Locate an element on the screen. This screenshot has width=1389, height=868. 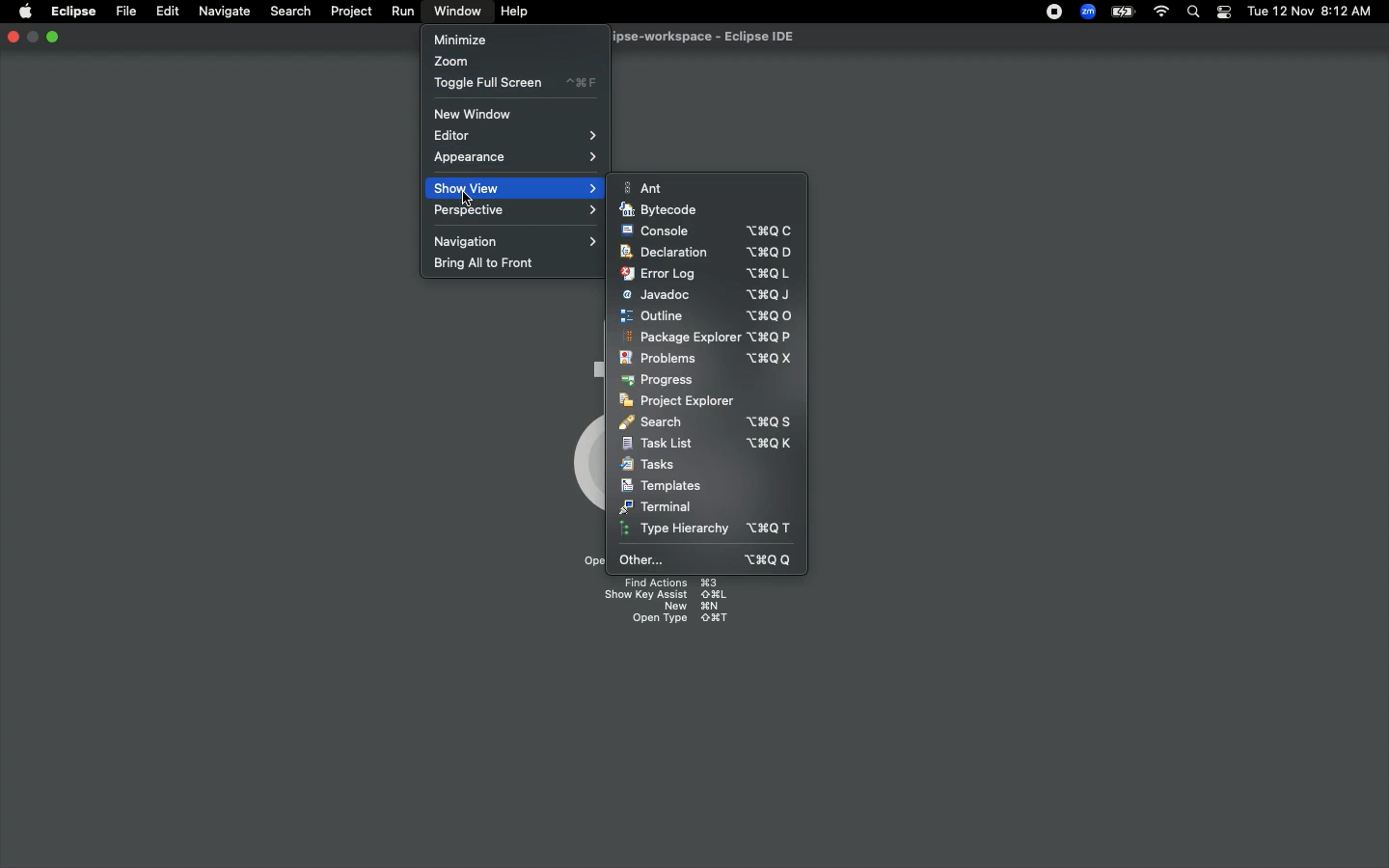
Internet is located at coordinates (1159, 13).